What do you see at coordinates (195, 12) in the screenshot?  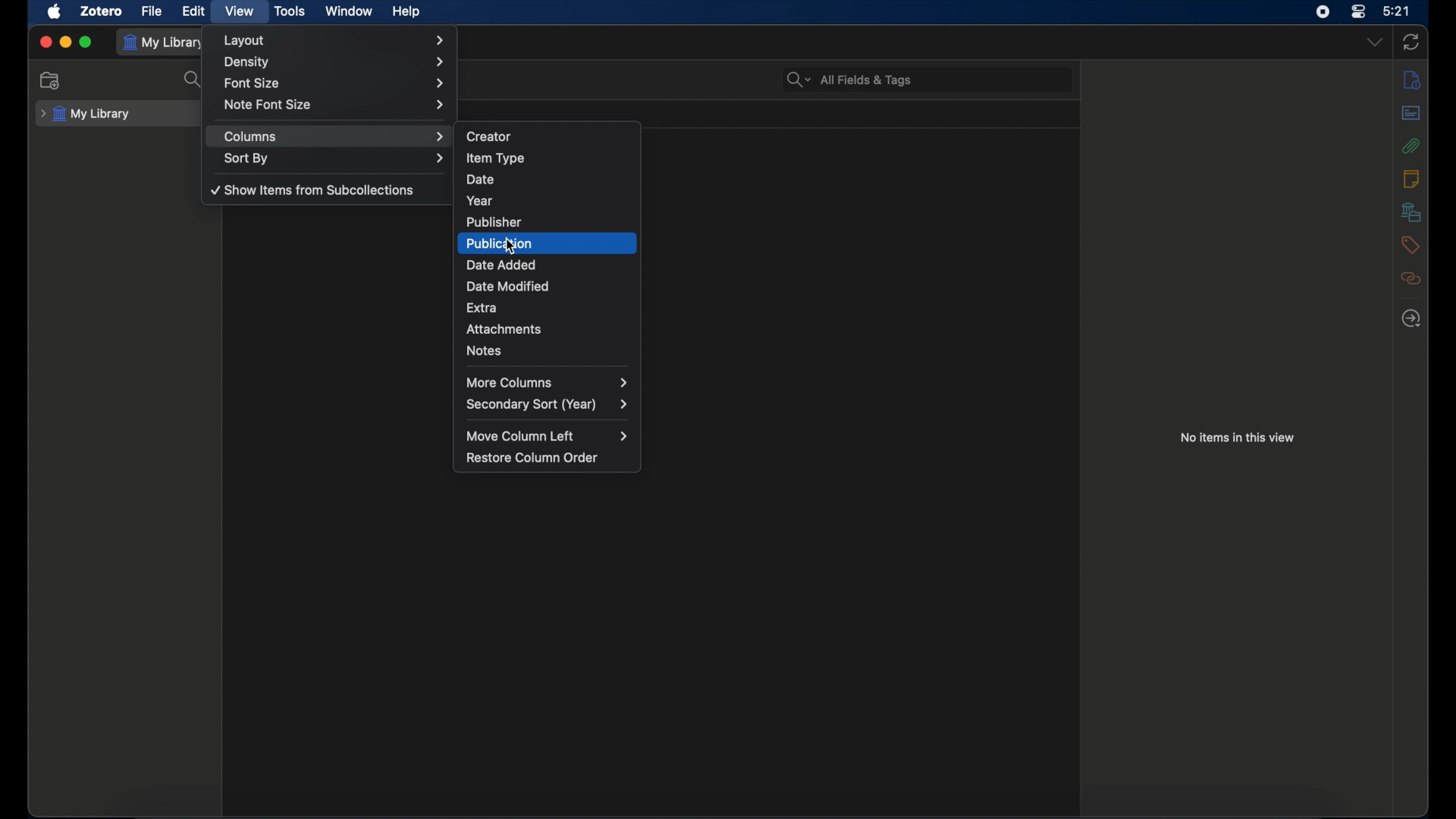 I see `edit` at bounding box center [195, 12].